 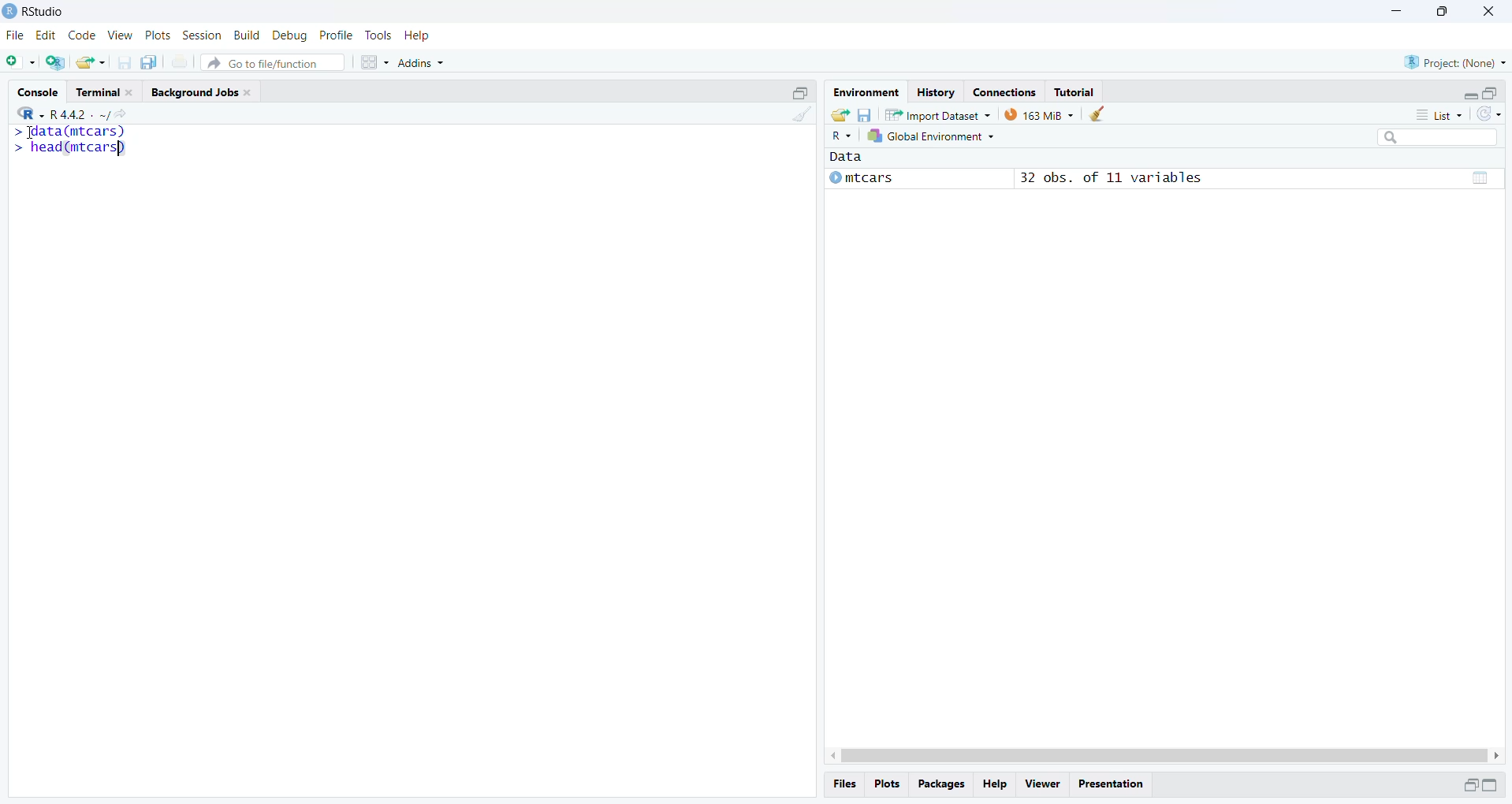 What do you see at coordinates (1165, 754) in the screenshot?
I see `scrollbar` at bounding box center [1165, 754].